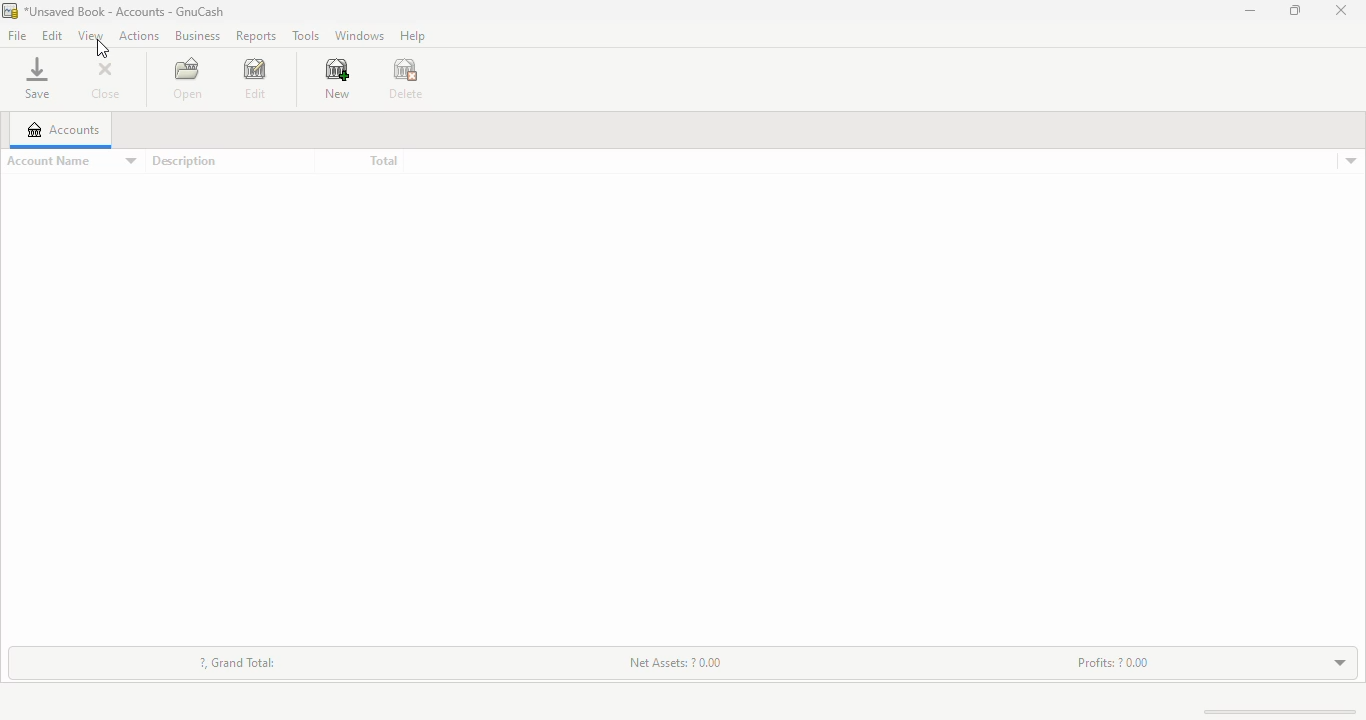 This screenshot has height=720, width=1366. What do you see at coordinates (1351, 161) in the screenshot?
I see `accounts details` at bounding box center [1351, 161].